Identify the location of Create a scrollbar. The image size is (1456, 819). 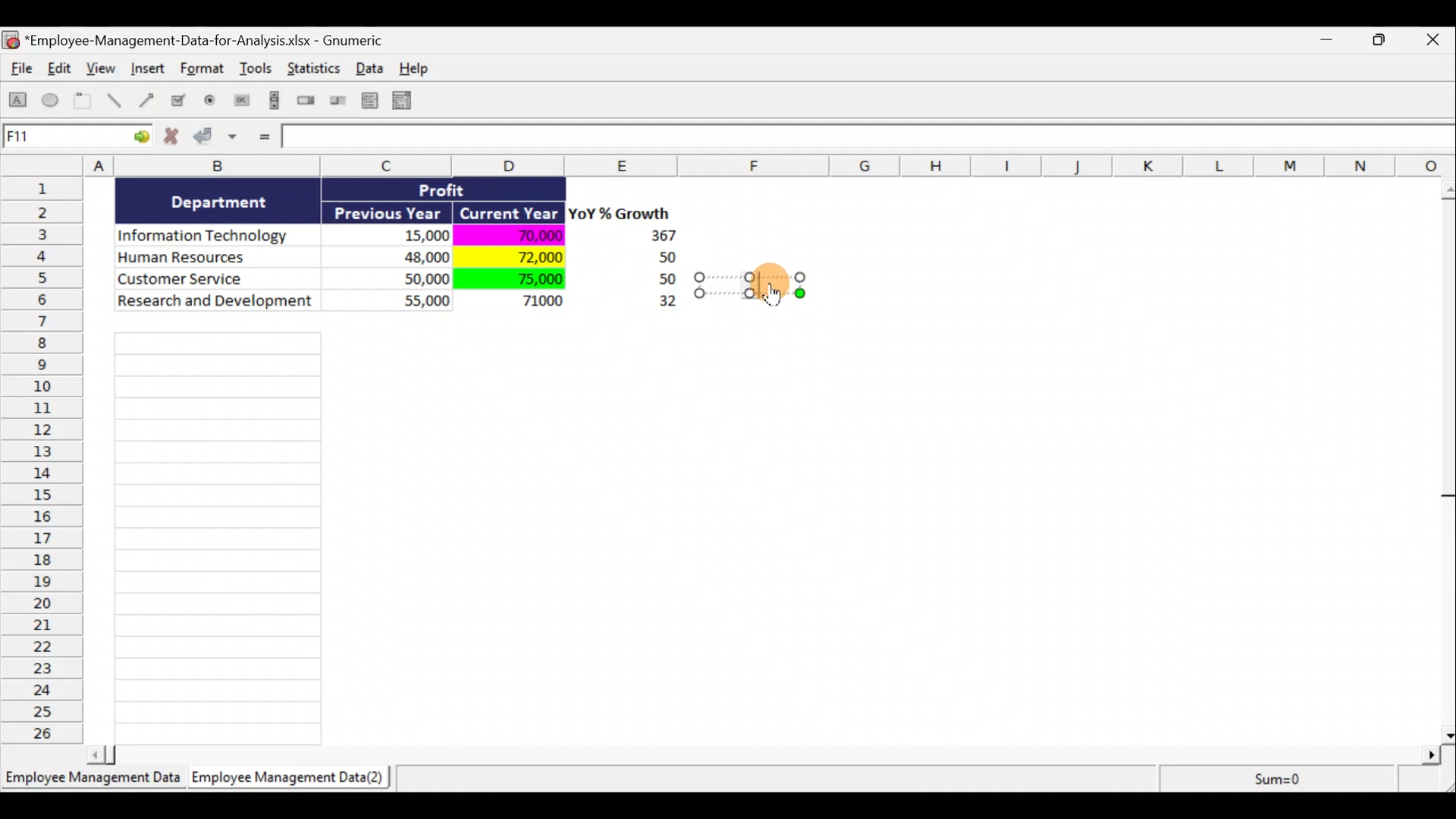
(272, 103).